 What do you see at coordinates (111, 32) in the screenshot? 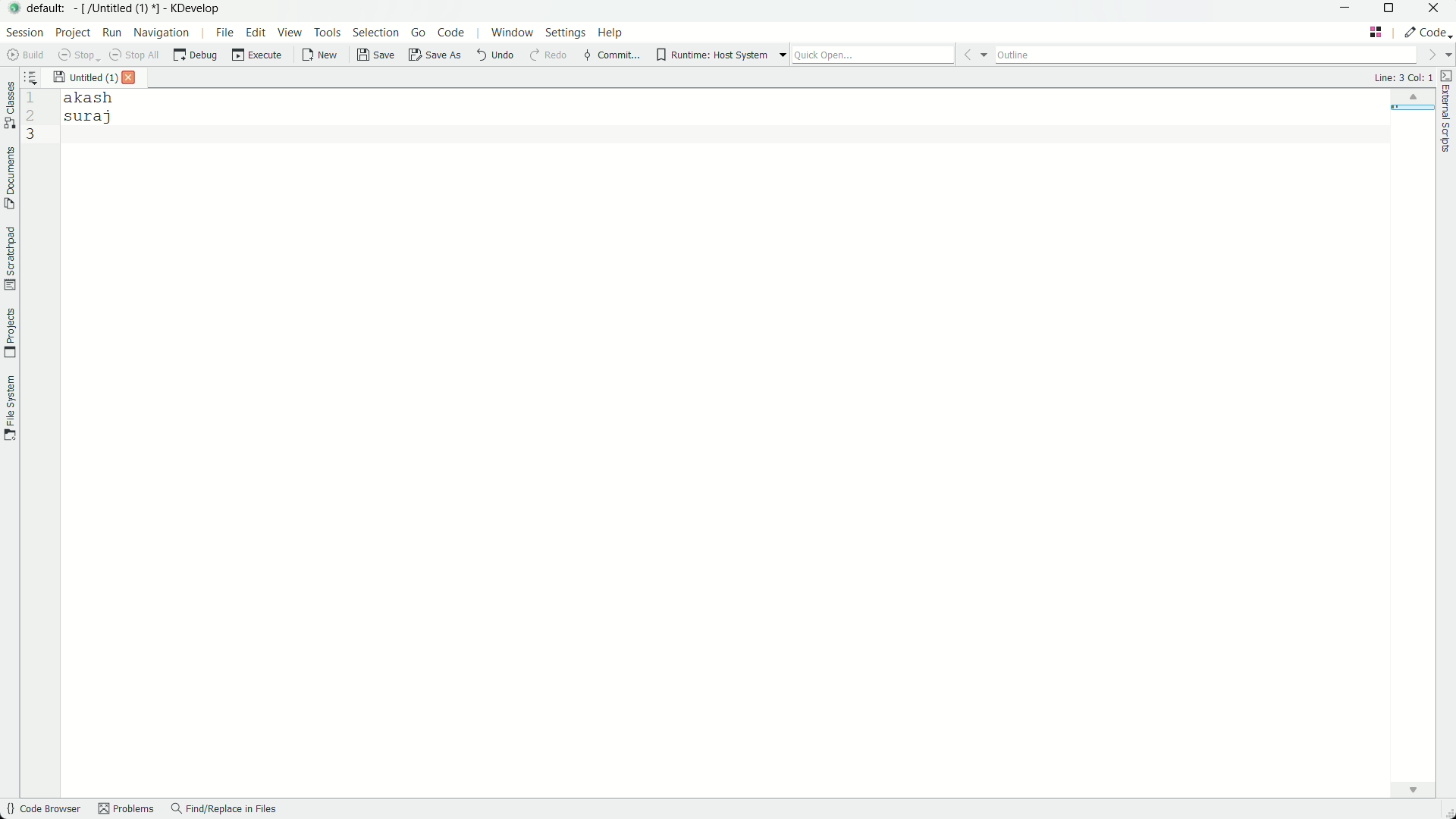
I see `run menu` at bounding box center [111, 32].